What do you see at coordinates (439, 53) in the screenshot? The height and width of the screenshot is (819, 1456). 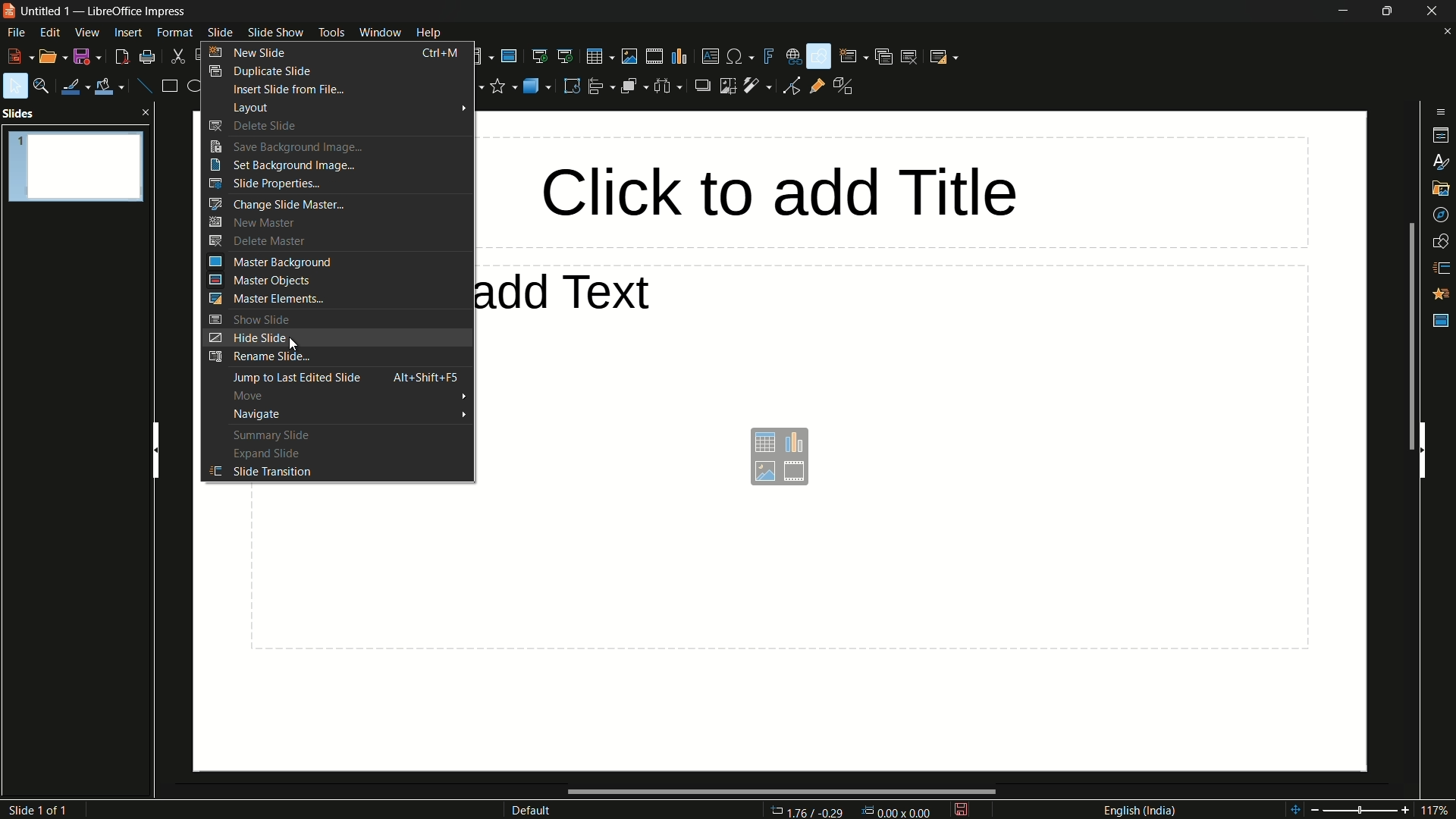 I see `keyboard shortcut` at bounding box center [439, 53].